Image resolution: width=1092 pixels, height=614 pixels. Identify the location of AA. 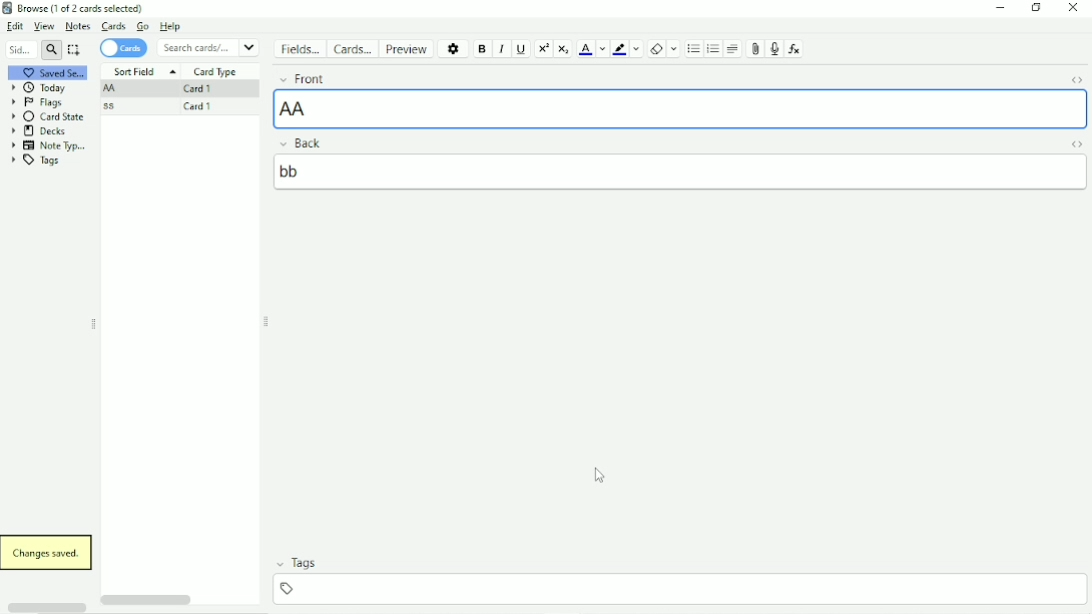
(680, 109).